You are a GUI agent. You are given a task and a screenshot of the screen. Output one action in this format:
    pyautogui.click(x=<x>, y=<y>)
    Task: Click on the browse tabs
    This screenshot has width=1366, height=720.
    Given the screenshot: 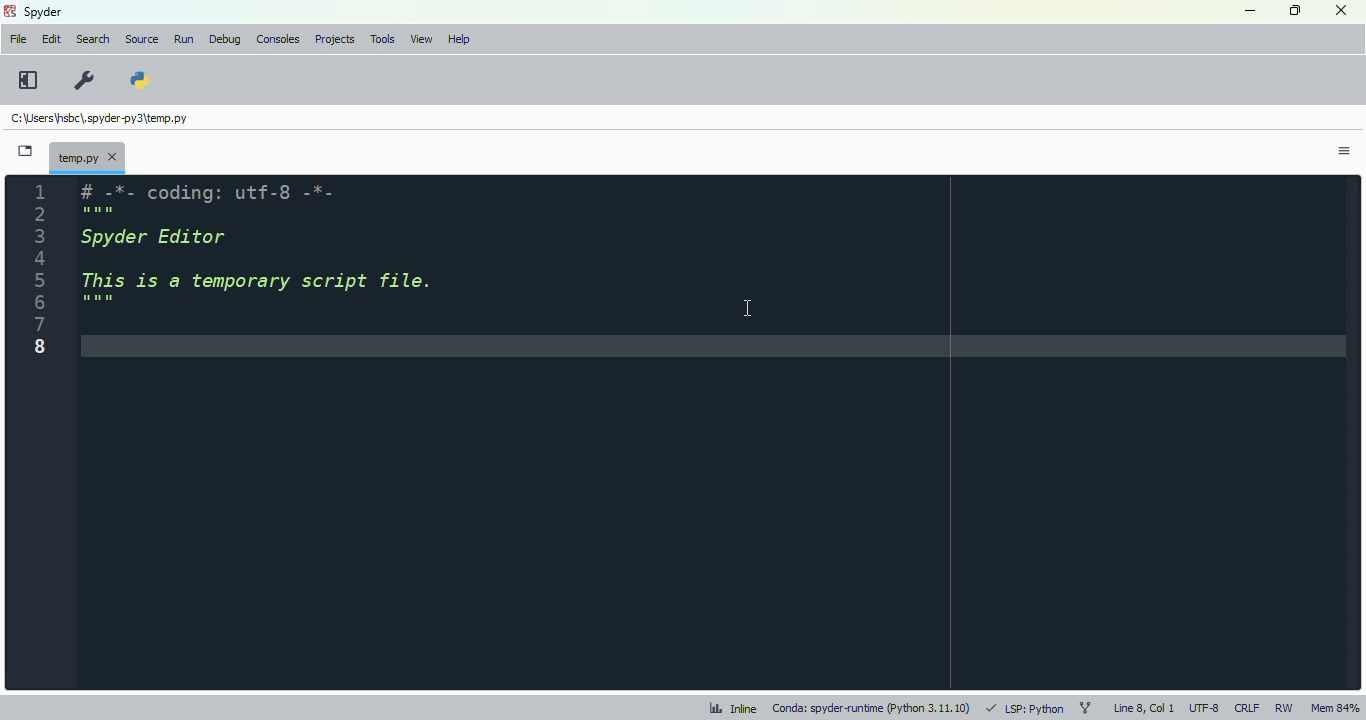 What is the action you would take?
    pyautogui.click(x=26, y=151)
    